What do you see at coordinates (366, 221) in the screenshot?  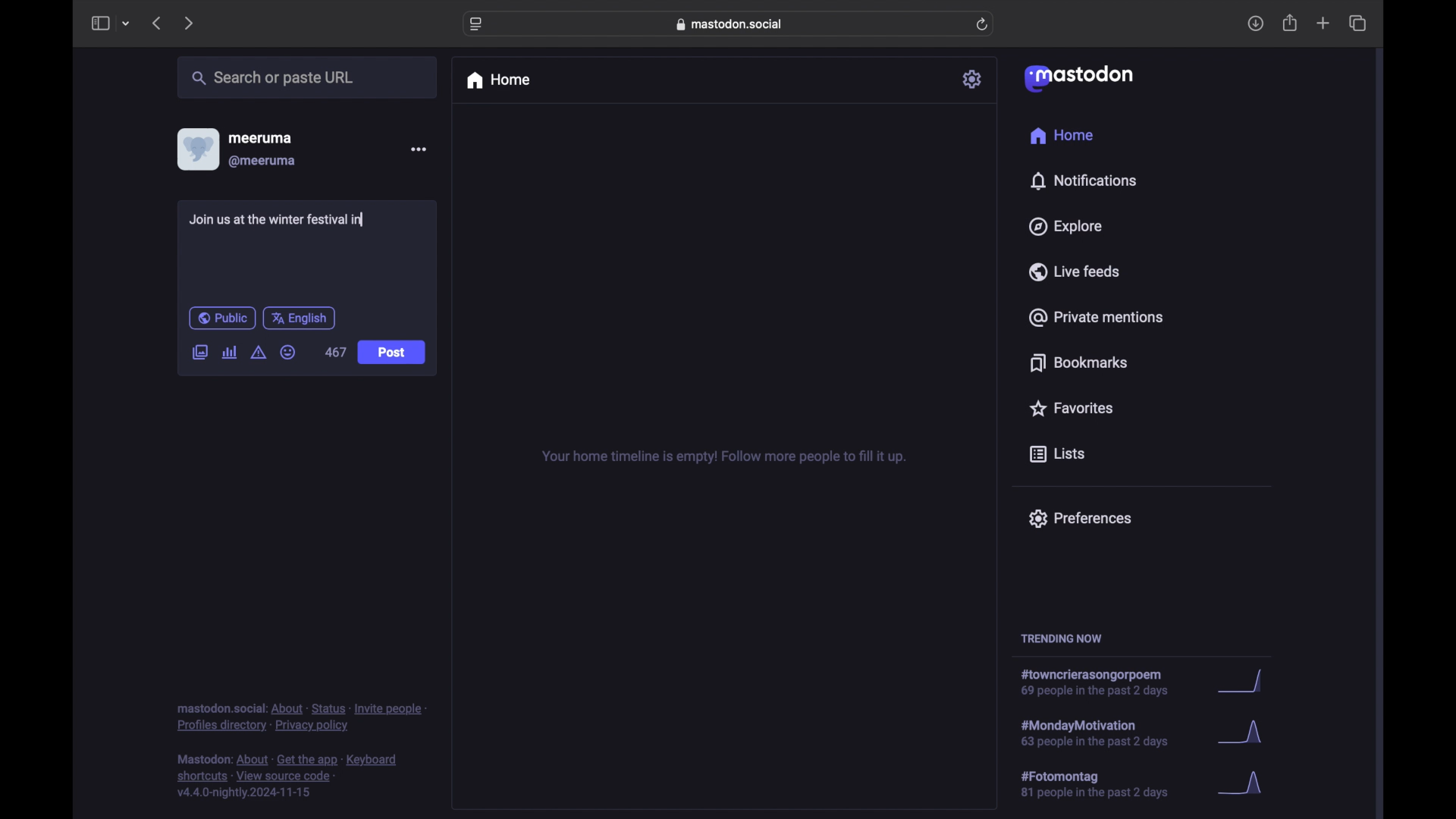 I see `text cursor` at bounding box center [366, 221].